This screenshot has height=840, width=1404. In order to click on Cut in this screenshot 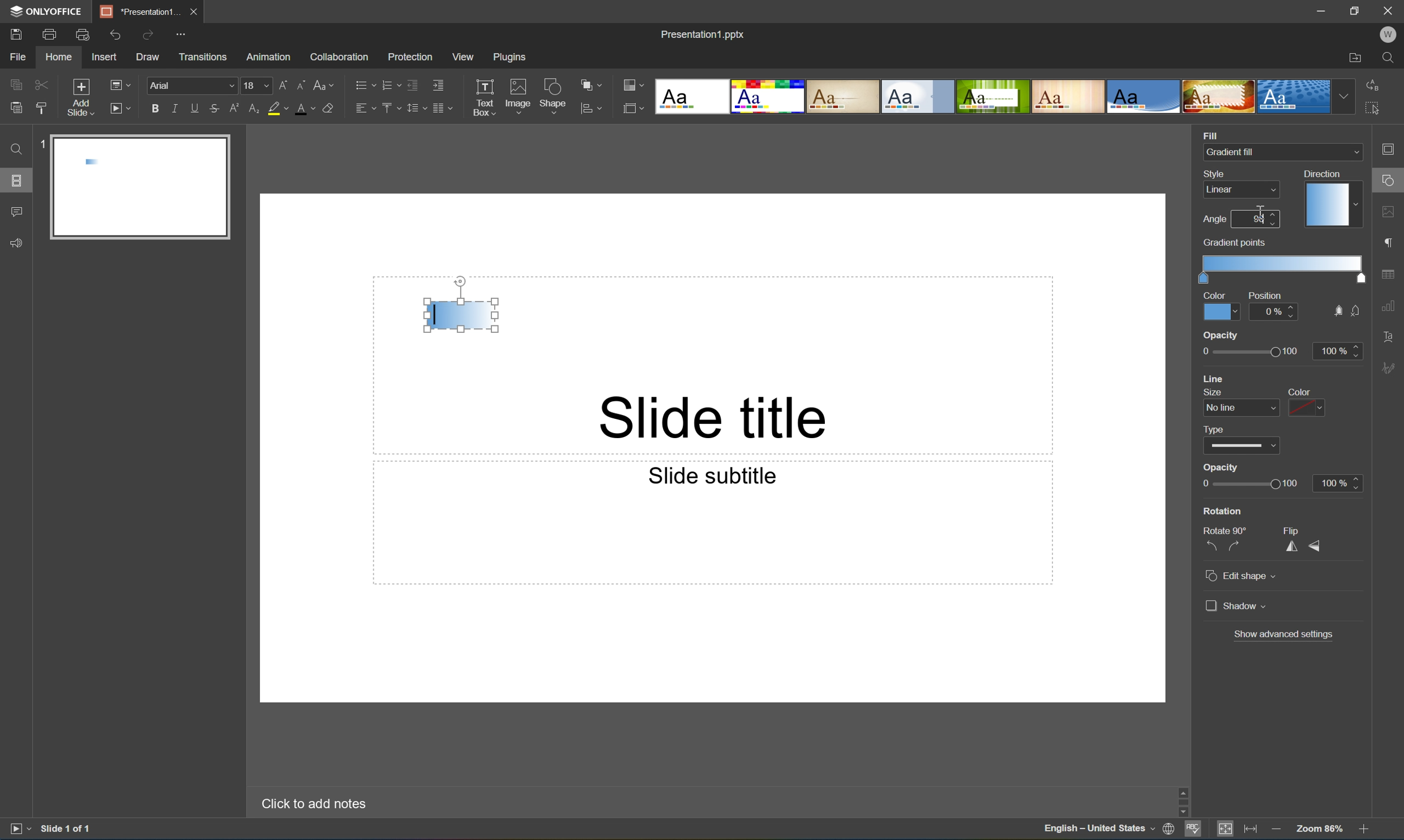, I will do `click(40, 84)`.